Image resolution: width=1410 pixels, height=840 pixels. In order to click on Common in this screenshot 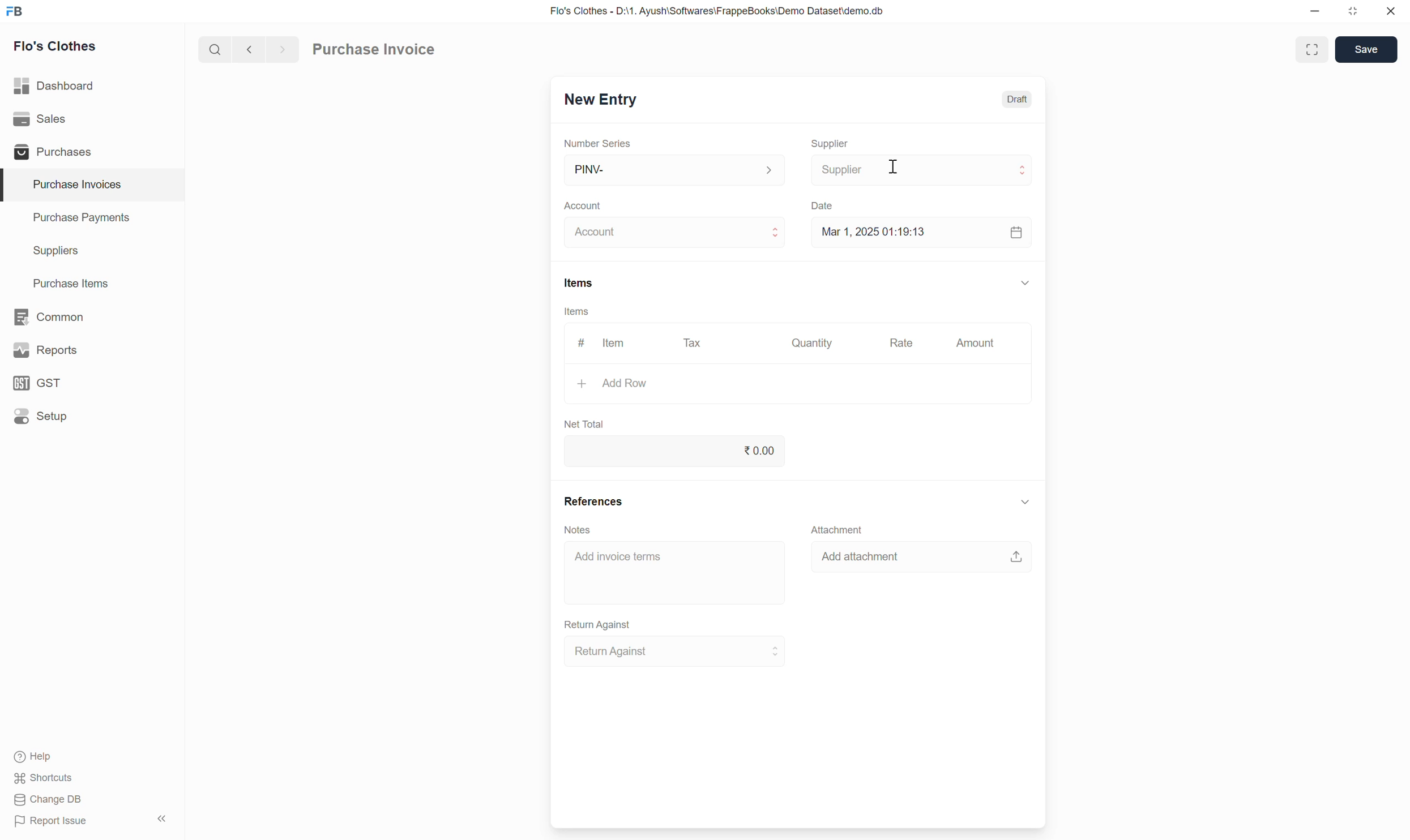, I will do `click(50, 316)`.